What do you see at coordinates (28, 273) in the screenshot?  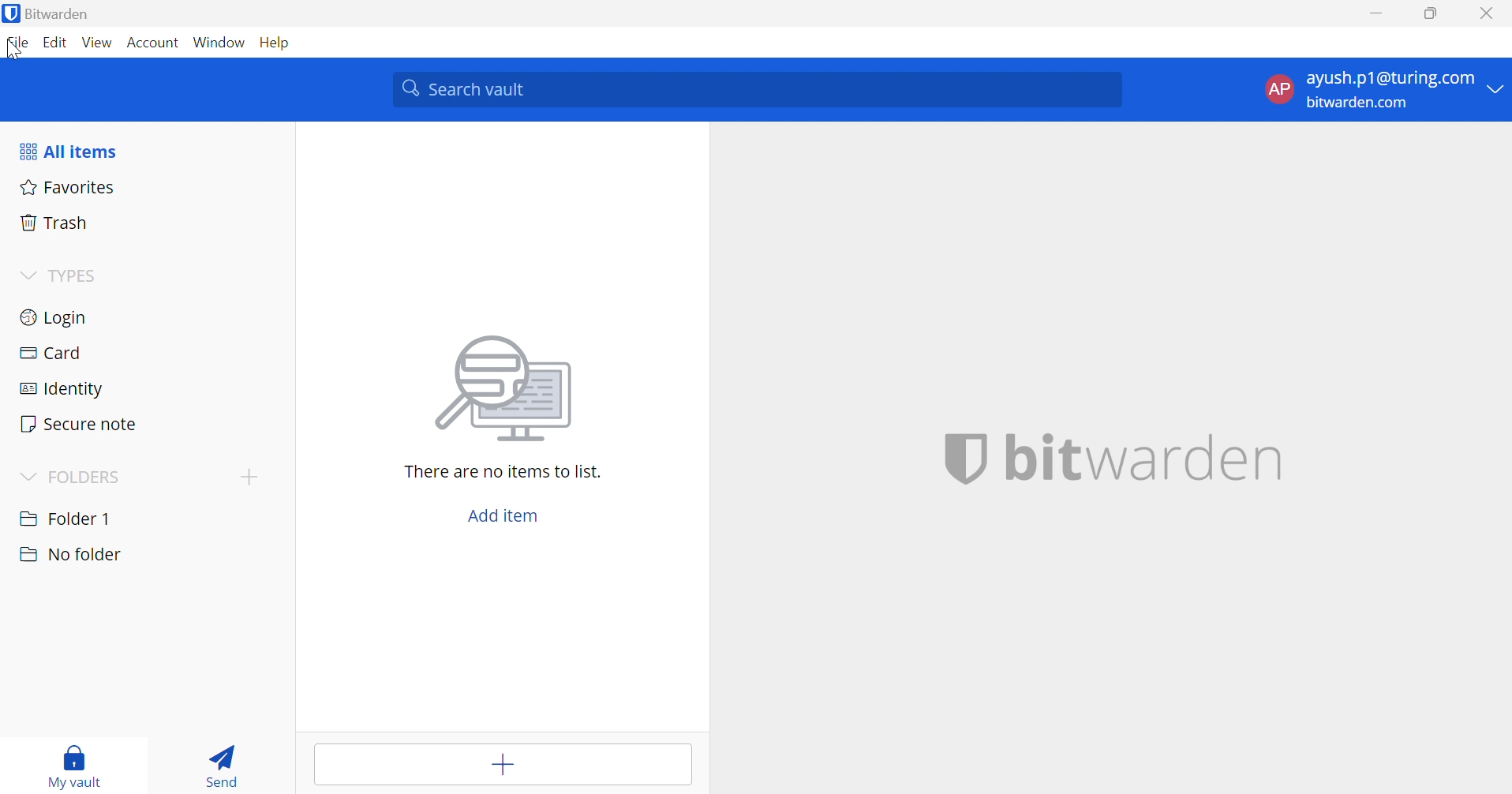 I see `Drop Down` at bounding box center [28, 273].